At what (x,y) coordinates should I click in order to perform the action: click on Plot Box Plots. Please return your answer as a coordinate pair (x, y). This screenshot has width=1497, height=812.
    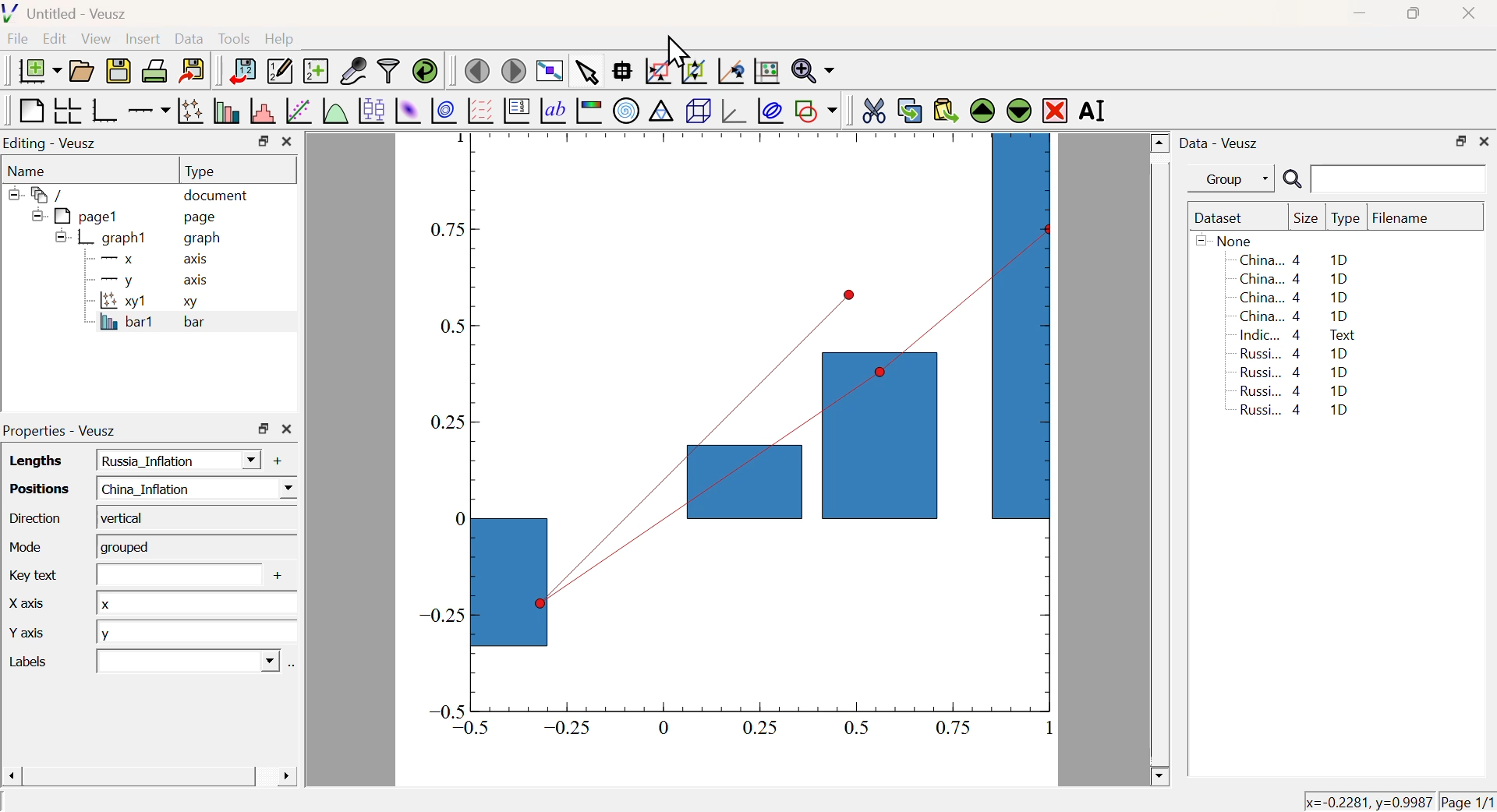
    Looking at the image, I should click on (370, 110).